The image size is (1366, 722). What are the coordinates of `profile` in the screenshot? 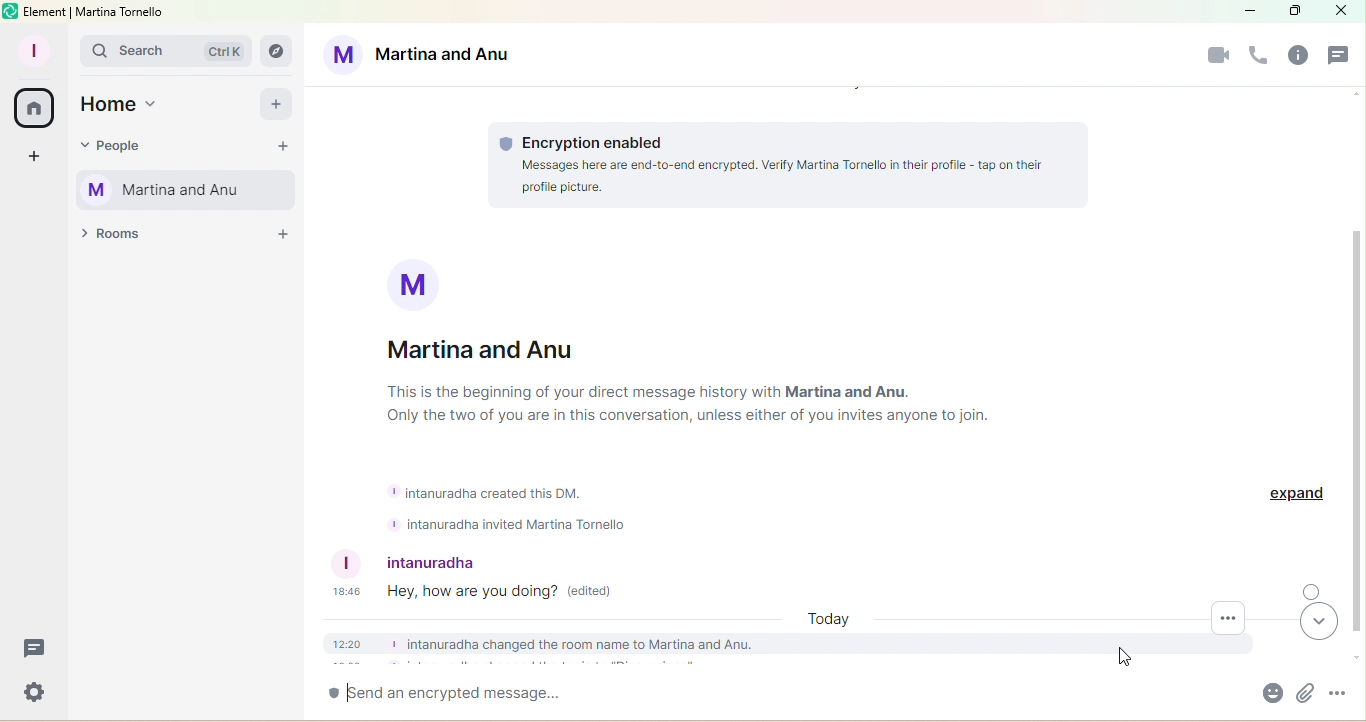 It's located at (349, 563).